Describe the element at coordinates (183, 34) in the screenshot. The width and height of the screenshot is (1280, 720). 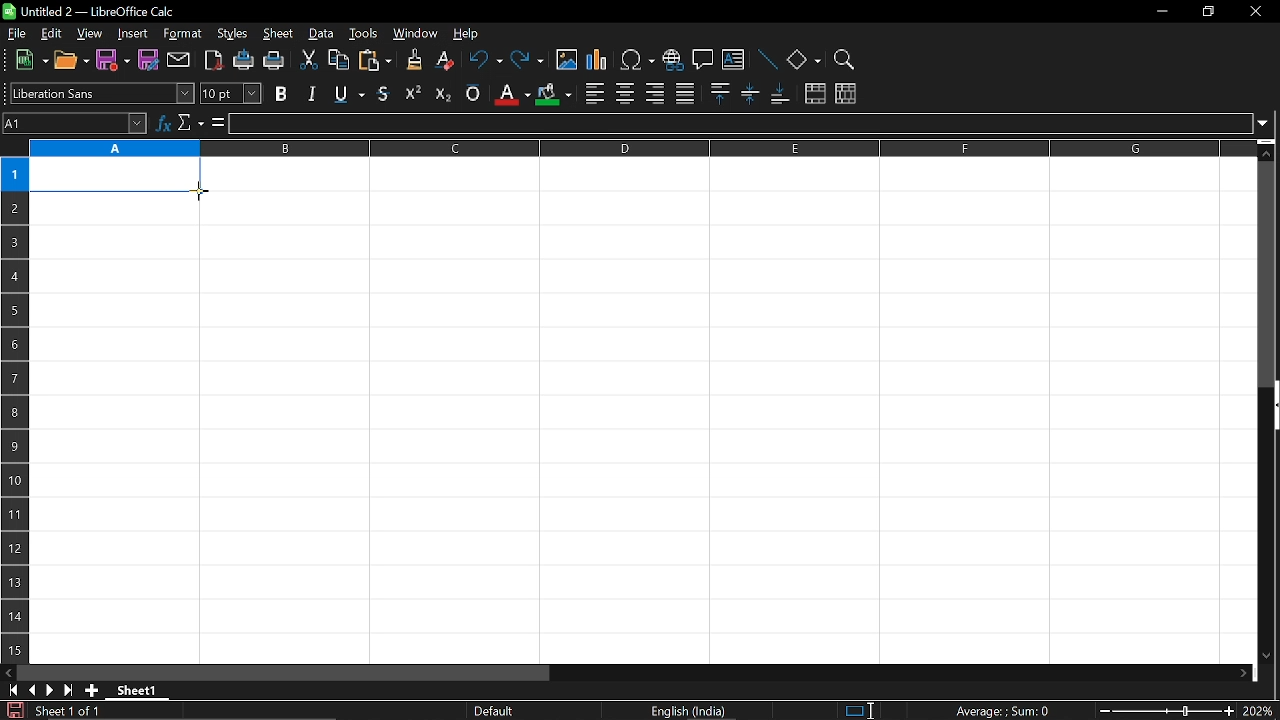
I see `format` at that location.